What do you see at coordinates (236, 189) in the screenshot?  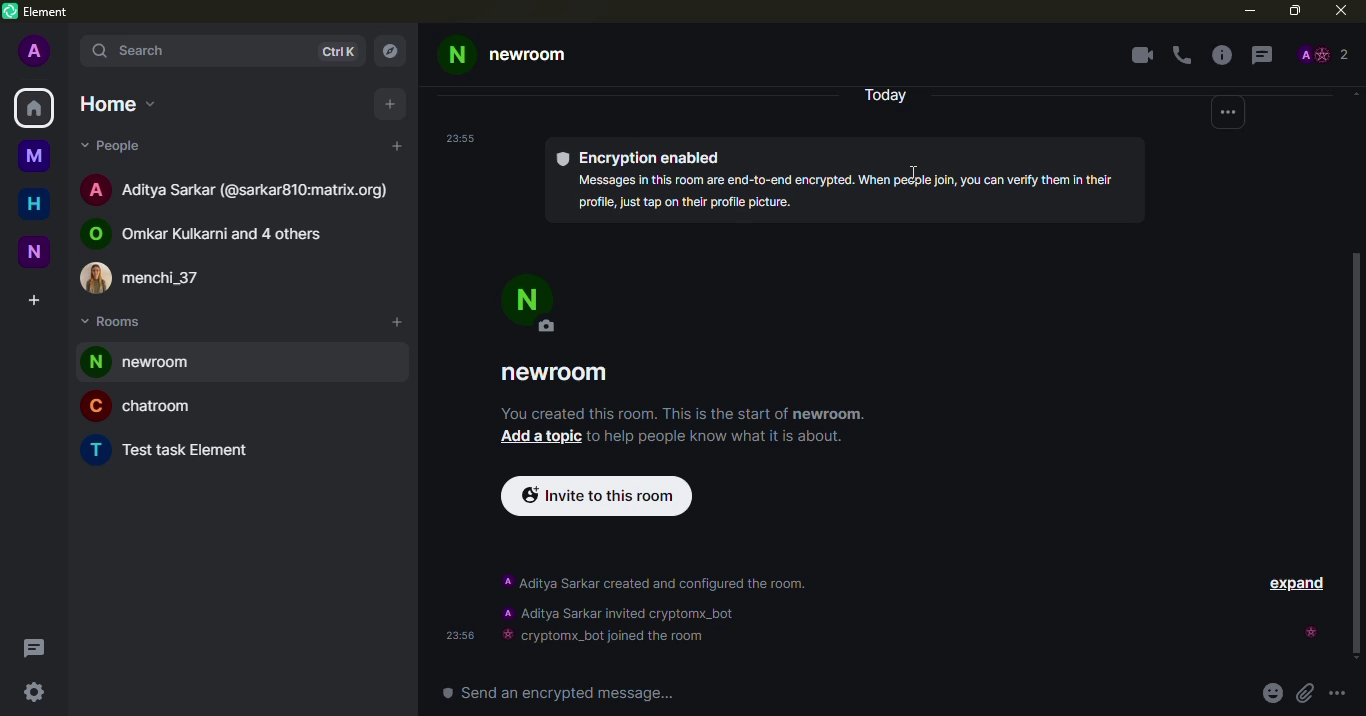 I see `Aditya Sarkar (@sarkar810:matrix.org)` at bounding box center [236, 189].